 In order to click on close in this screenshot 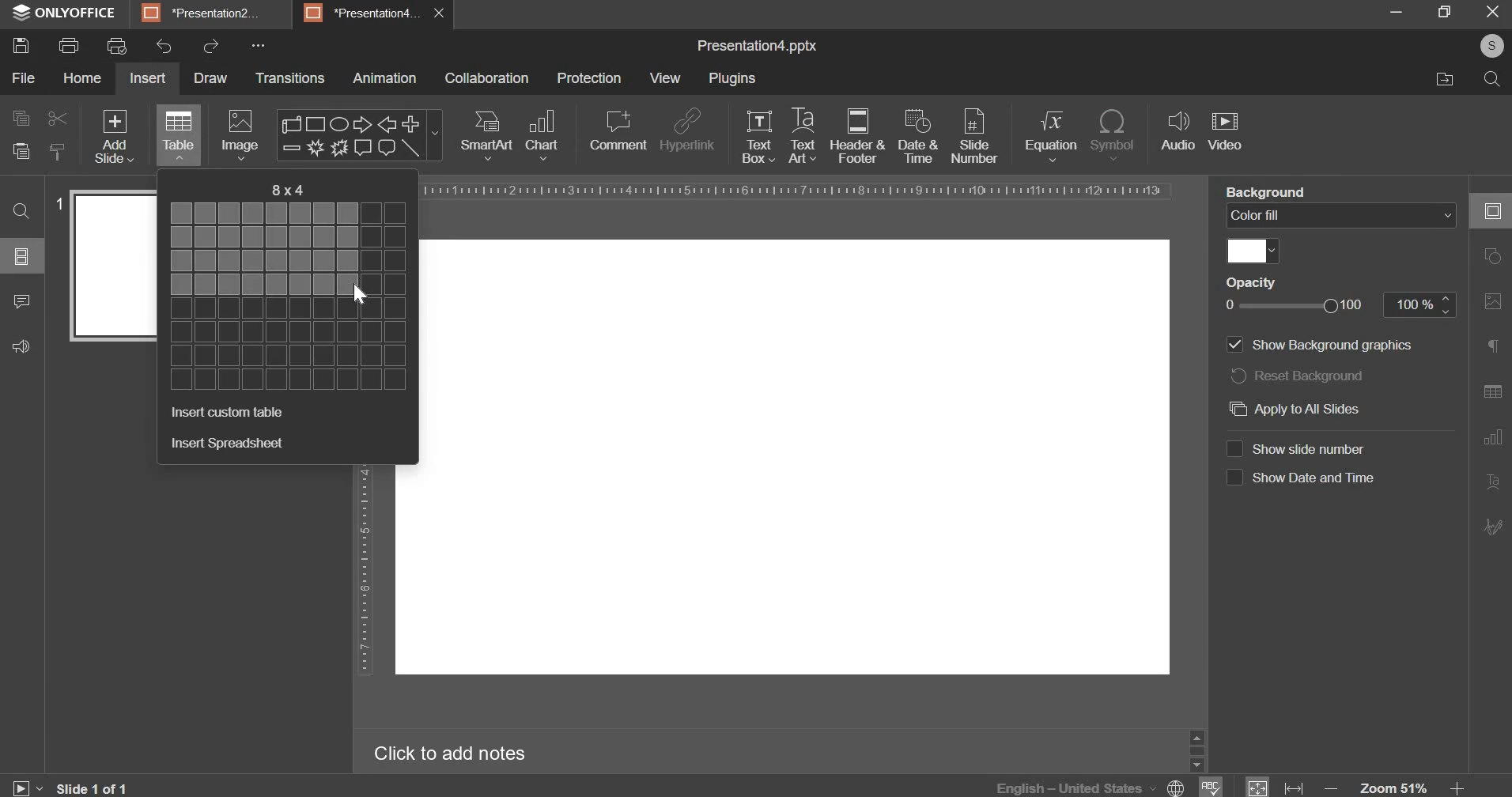, I will do `click(438, 13)`.